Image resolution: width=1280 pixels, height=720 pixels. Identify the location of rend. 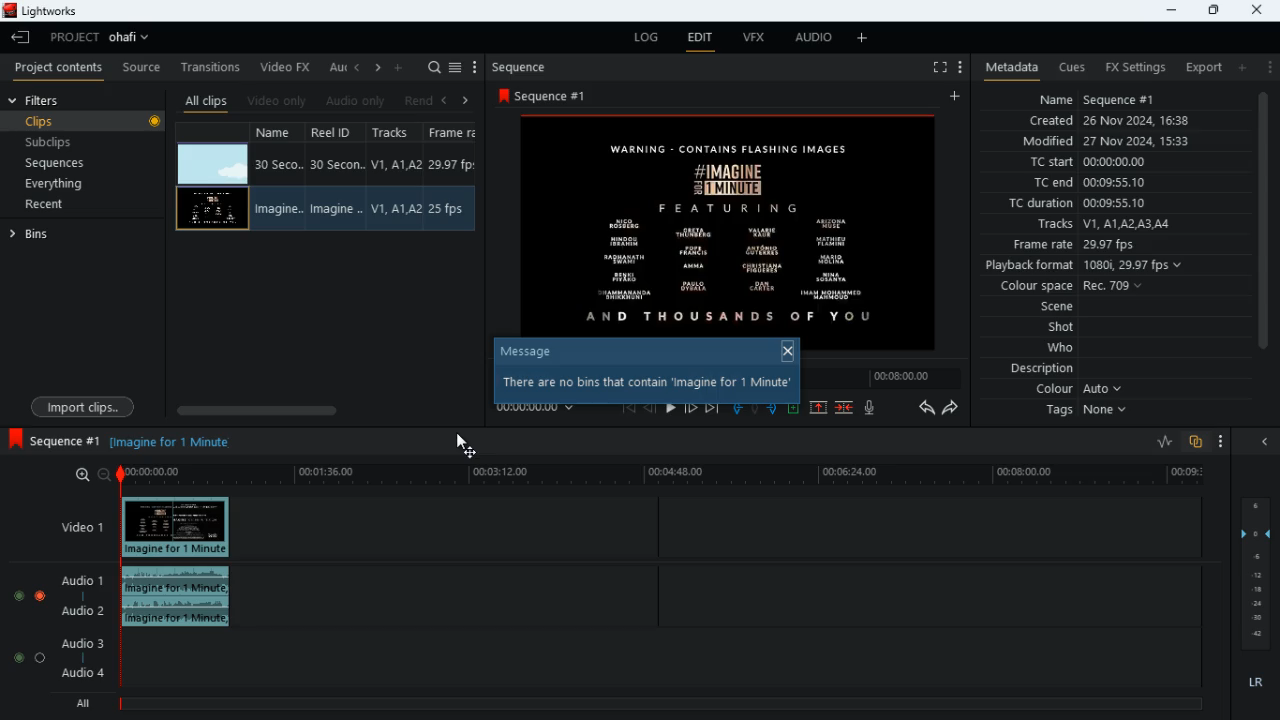
(420, 100).